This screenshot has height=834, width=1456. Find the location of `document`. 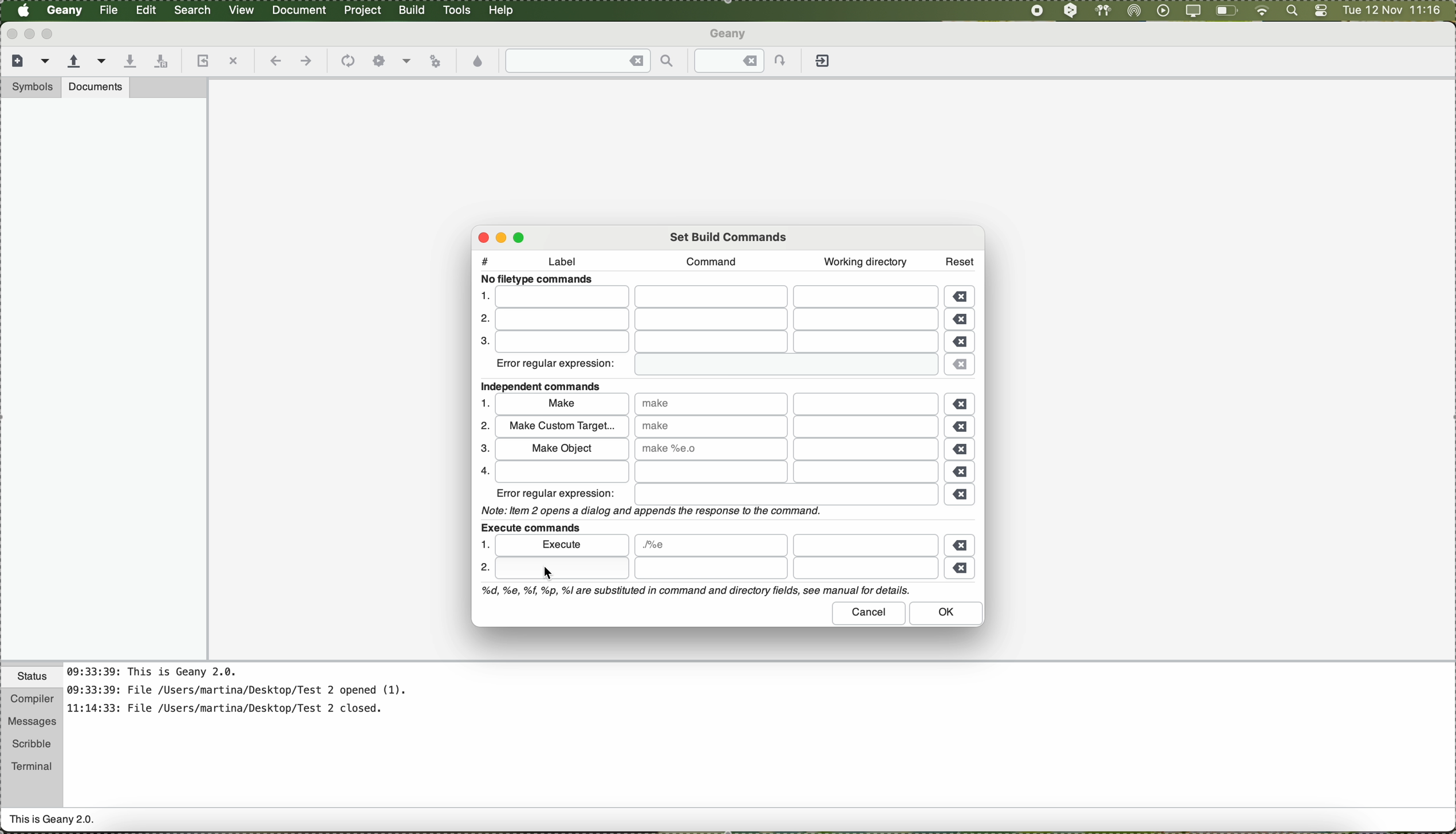

document is located at coordinates (299, 9).